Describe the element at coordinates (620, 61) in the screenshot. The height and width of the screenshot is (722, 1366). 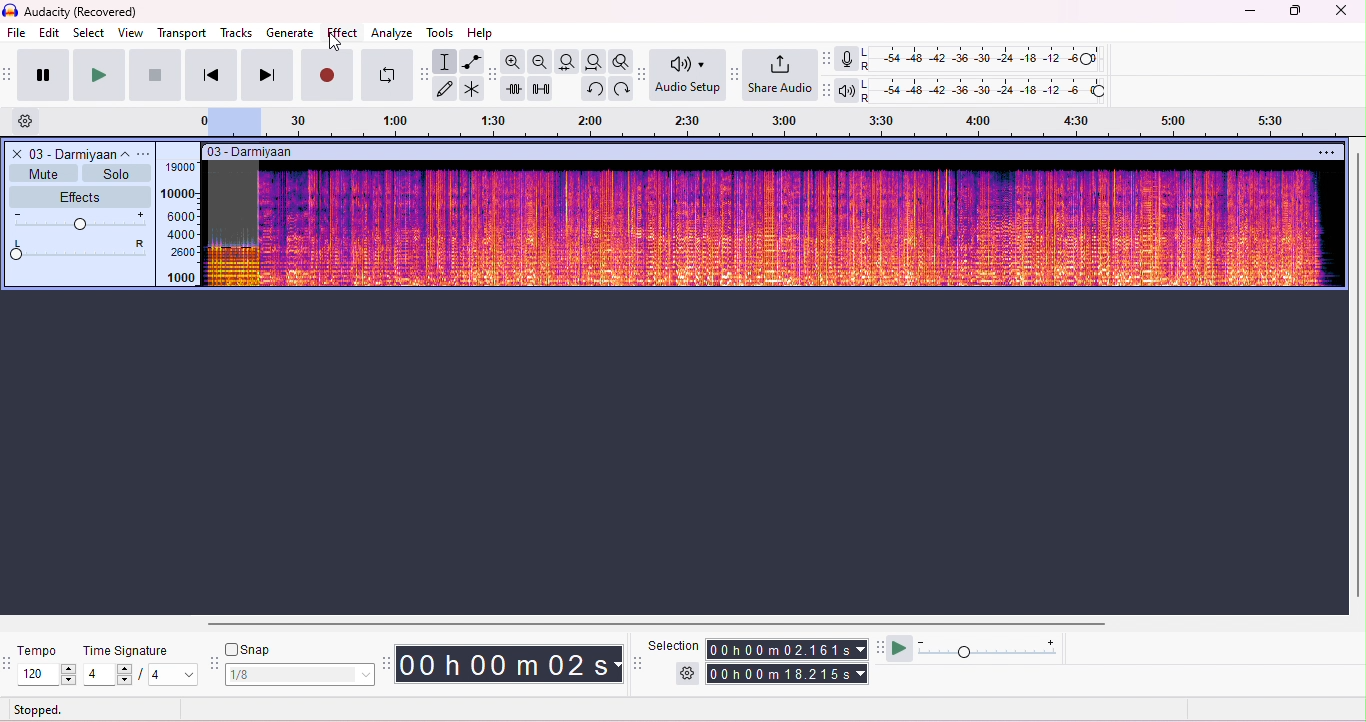
I see `toggle zoom` at that location.